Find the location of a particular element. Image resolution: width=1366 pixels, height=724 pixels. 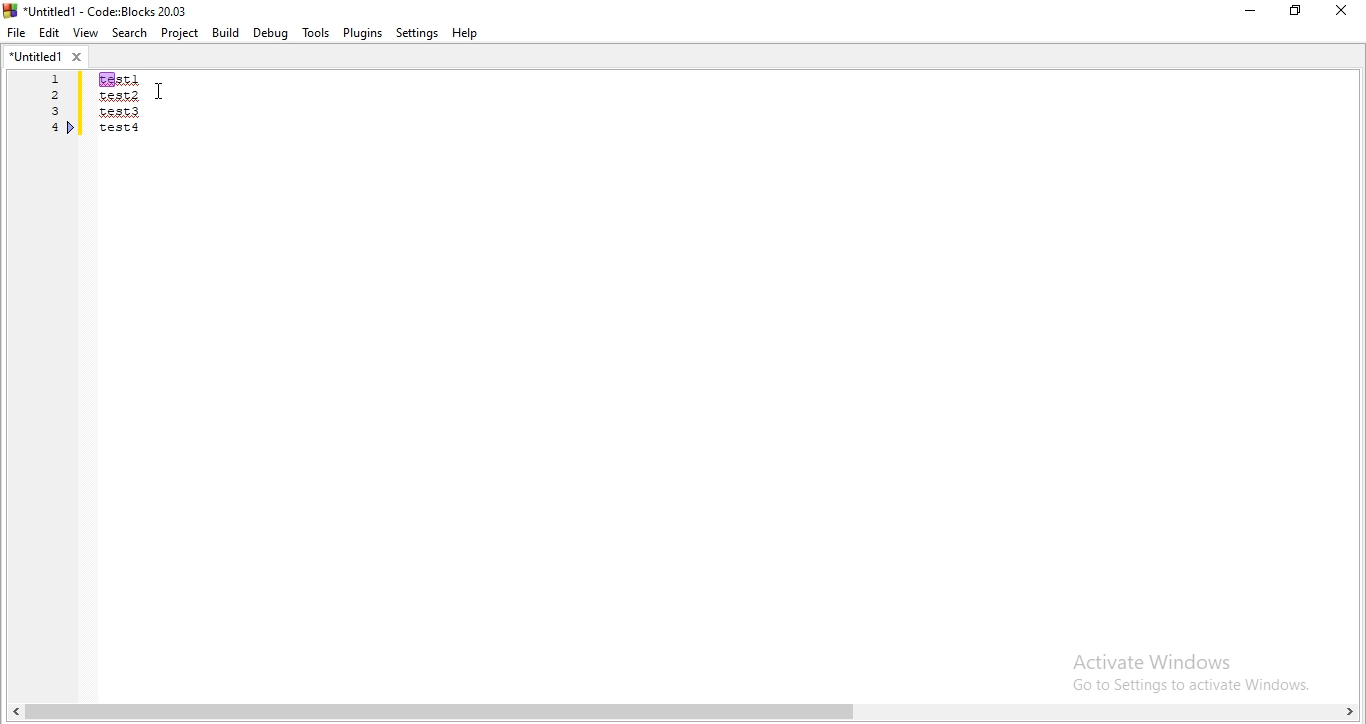

logo is located at coordinates (98, 9).